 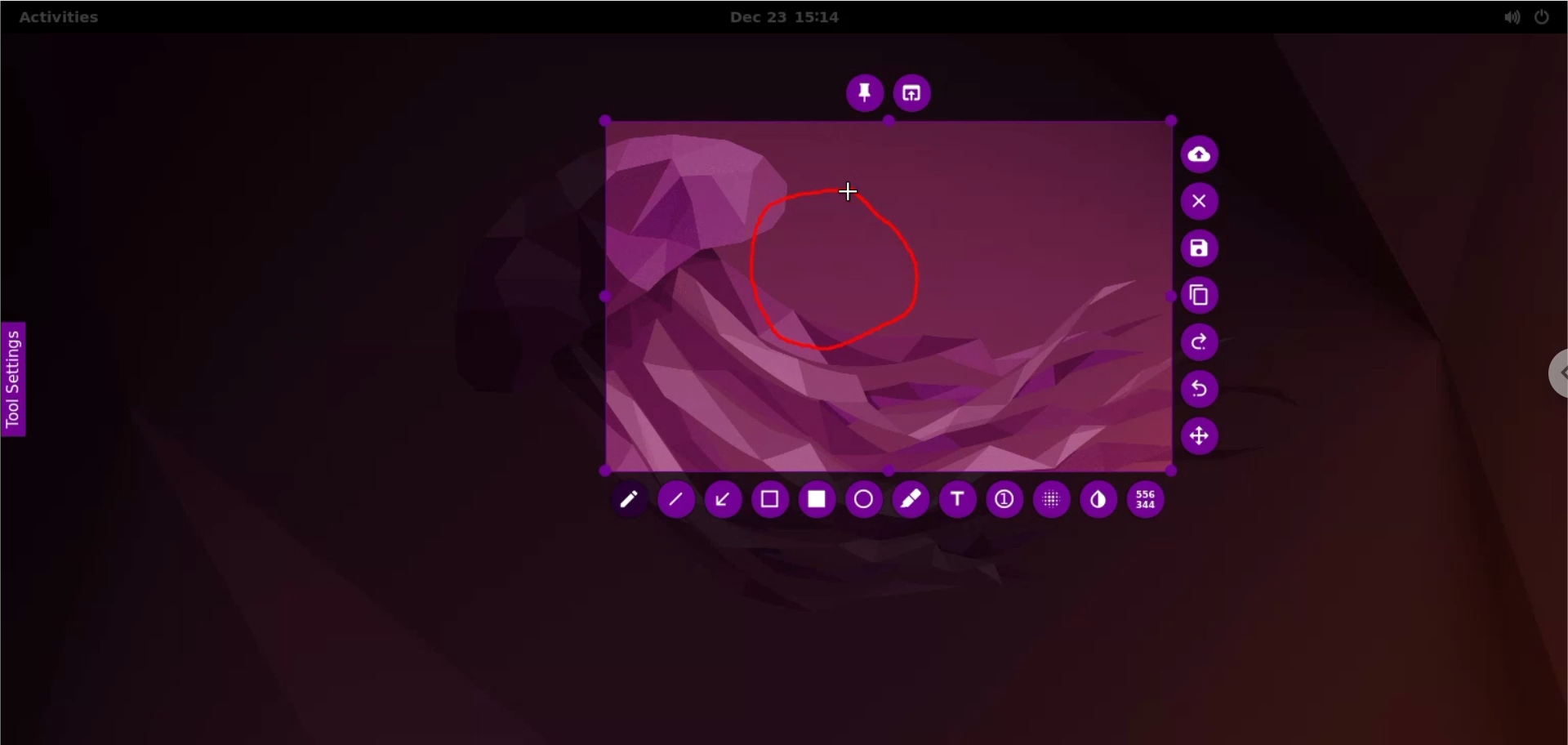 I want to click on move selection, so click(x=1203, y=440).